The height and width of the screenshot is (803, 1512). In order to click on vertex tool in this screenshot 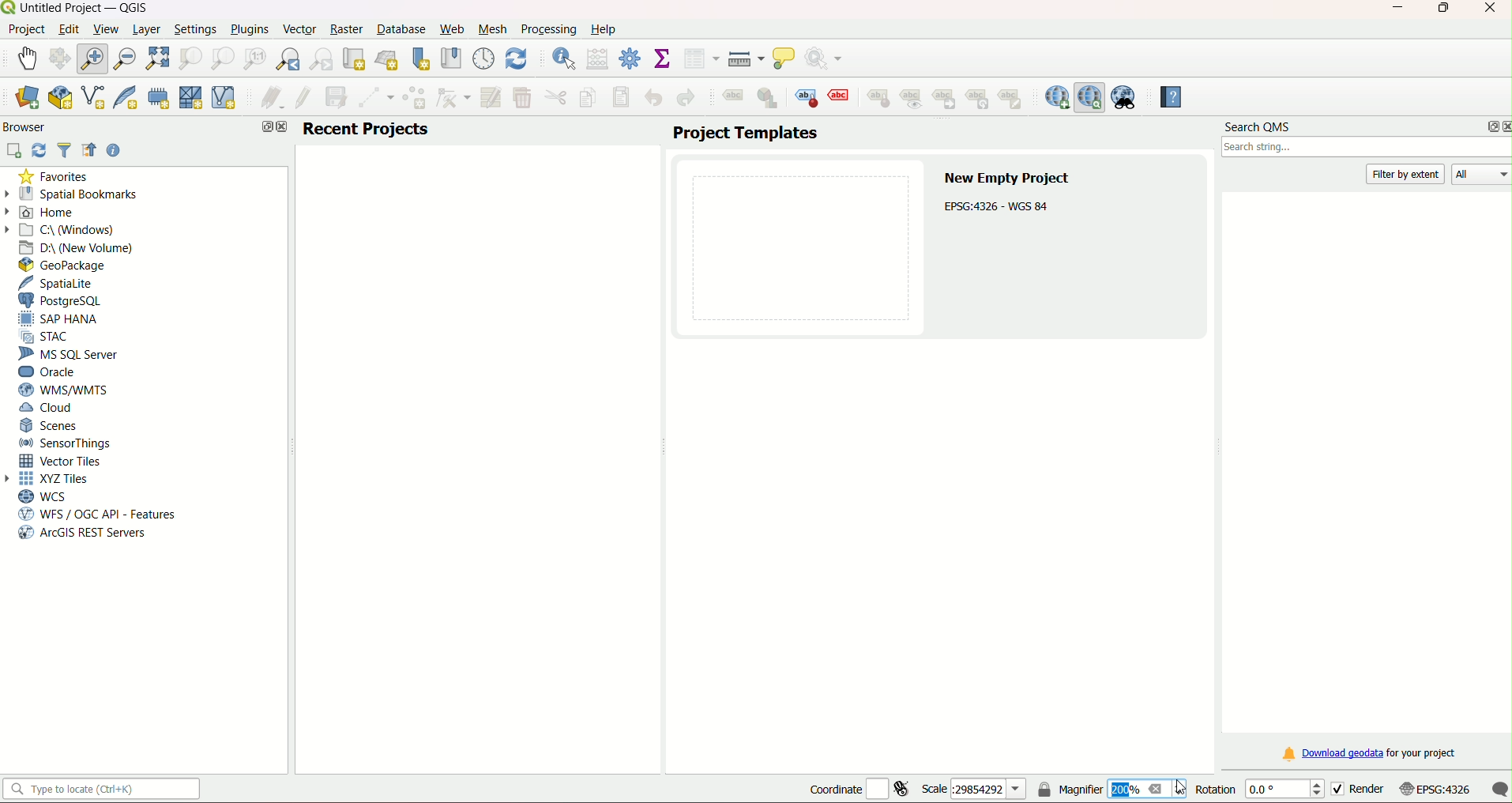, I will do `click(453, 97)`.